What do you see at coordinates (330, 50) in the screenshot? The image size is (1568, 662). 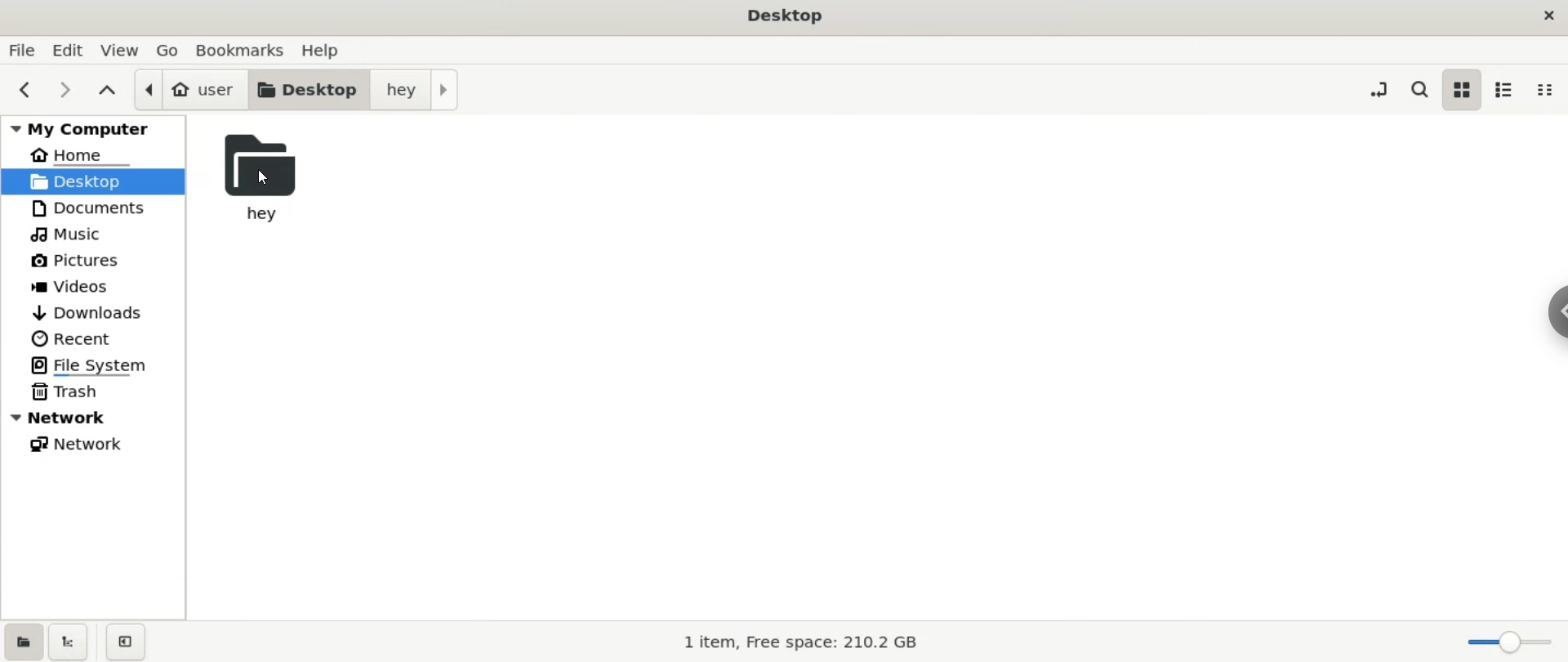 I see `help` at bounding box center [330, 50].